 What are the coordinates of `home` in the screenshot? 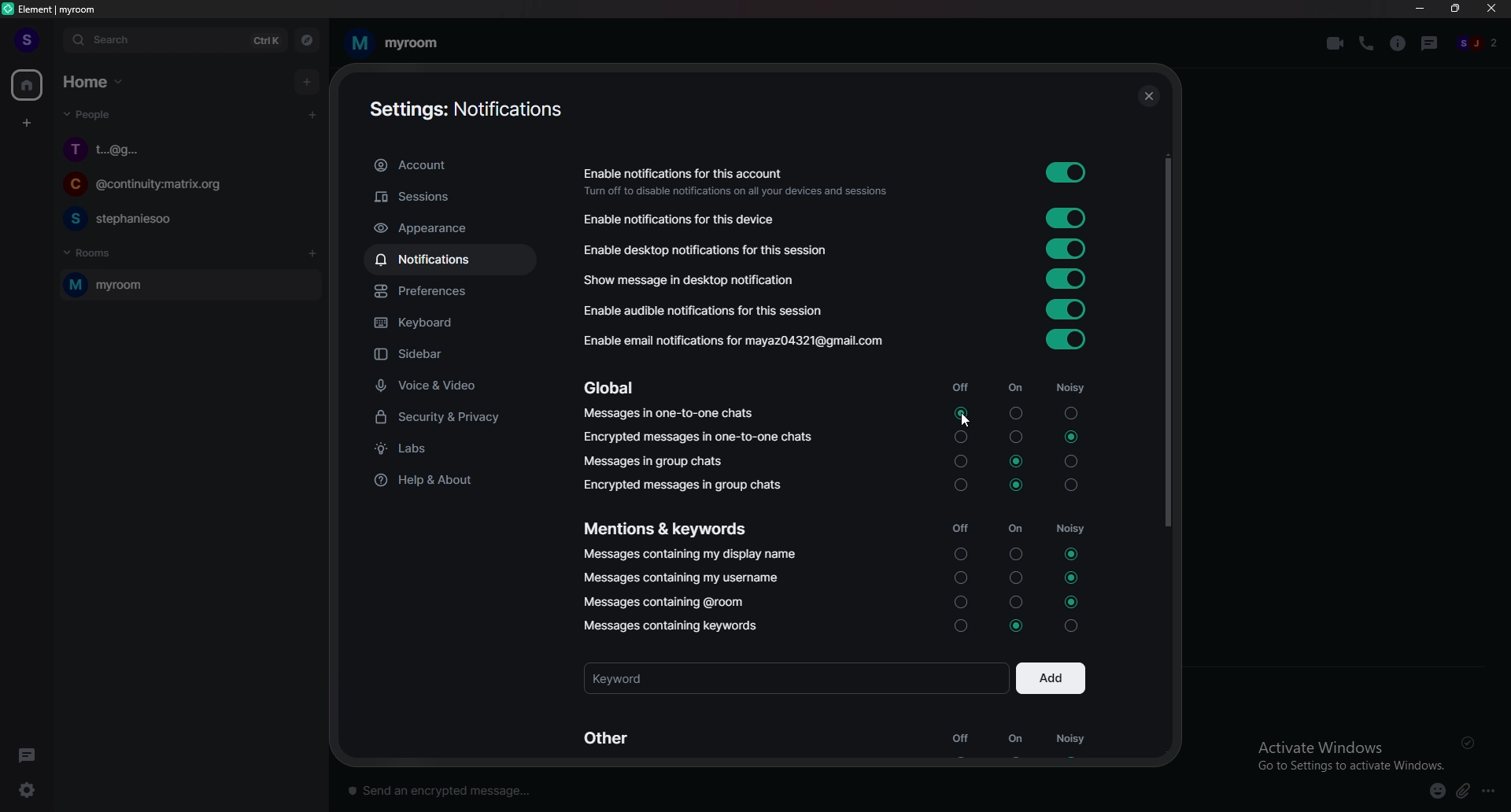 It's located at (95, 82).